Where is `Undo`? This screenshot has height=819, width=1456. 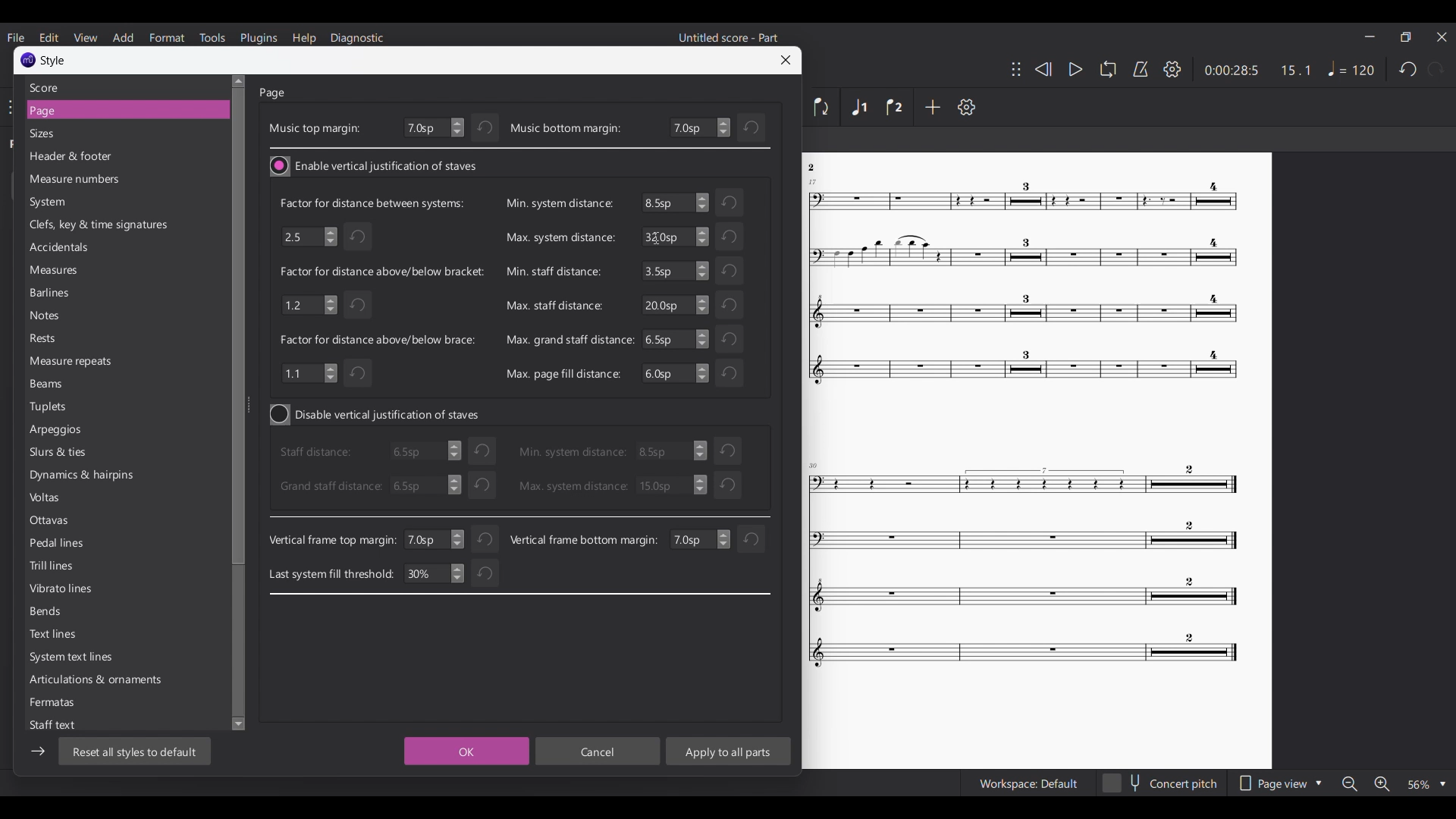 Undo is located at coordinates (732, 237).